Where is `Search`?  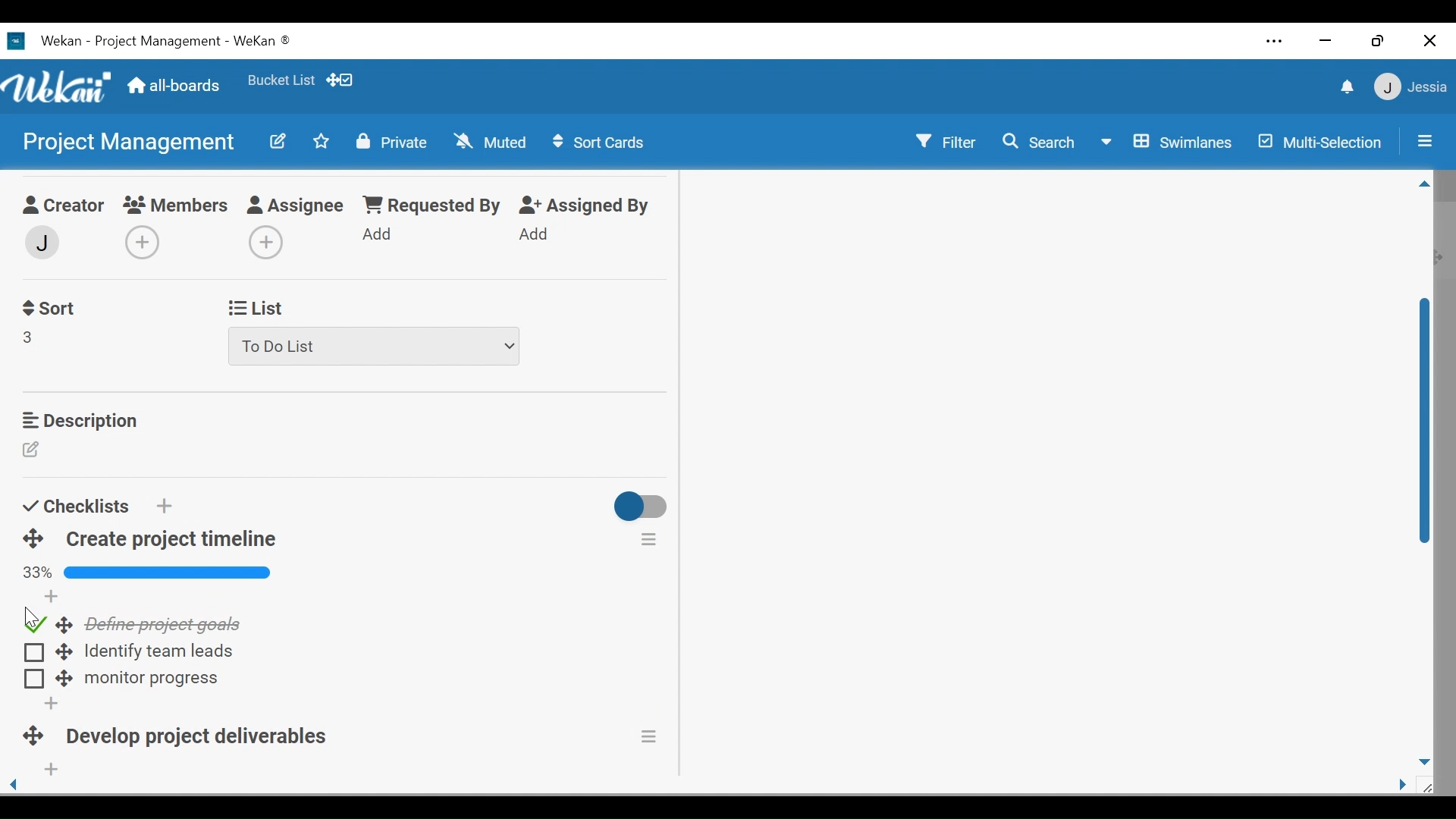 Search is located at coordinates (1041, 144).